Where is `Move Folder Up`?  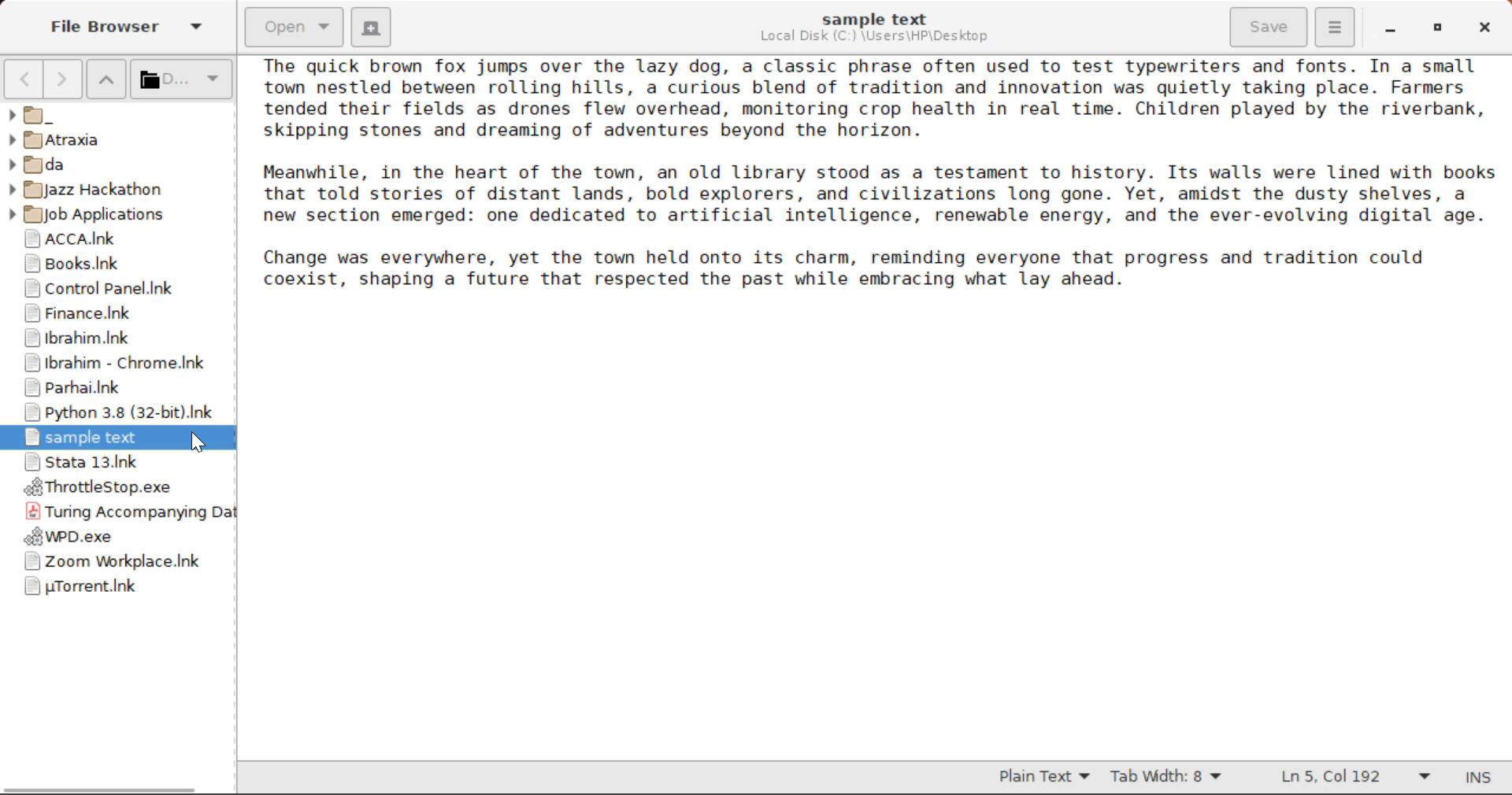 Move Folder Up is located at coordinates (107, 80).